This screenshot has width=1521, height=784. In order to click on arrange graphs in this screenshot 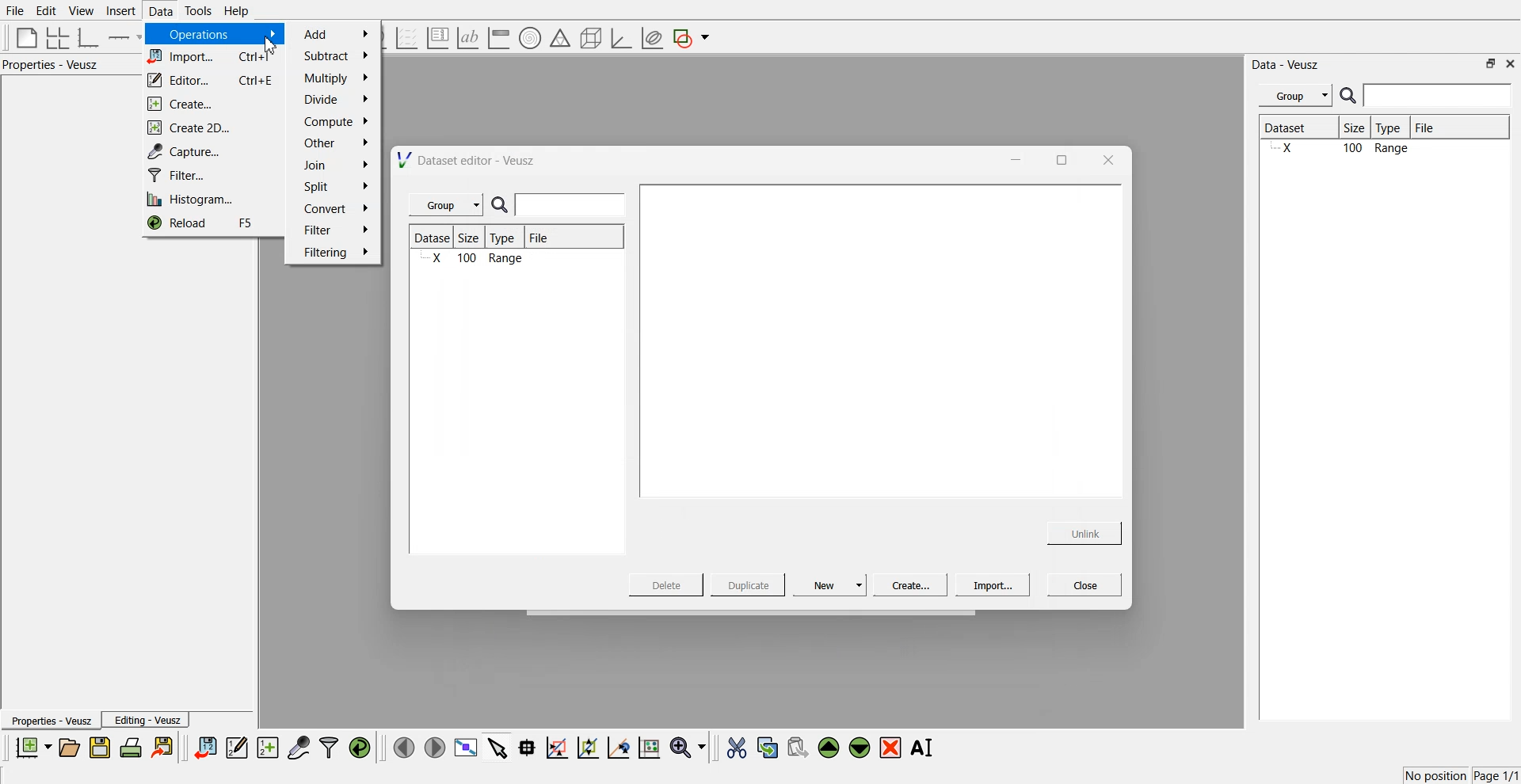, I will do `click(55, 37)`.